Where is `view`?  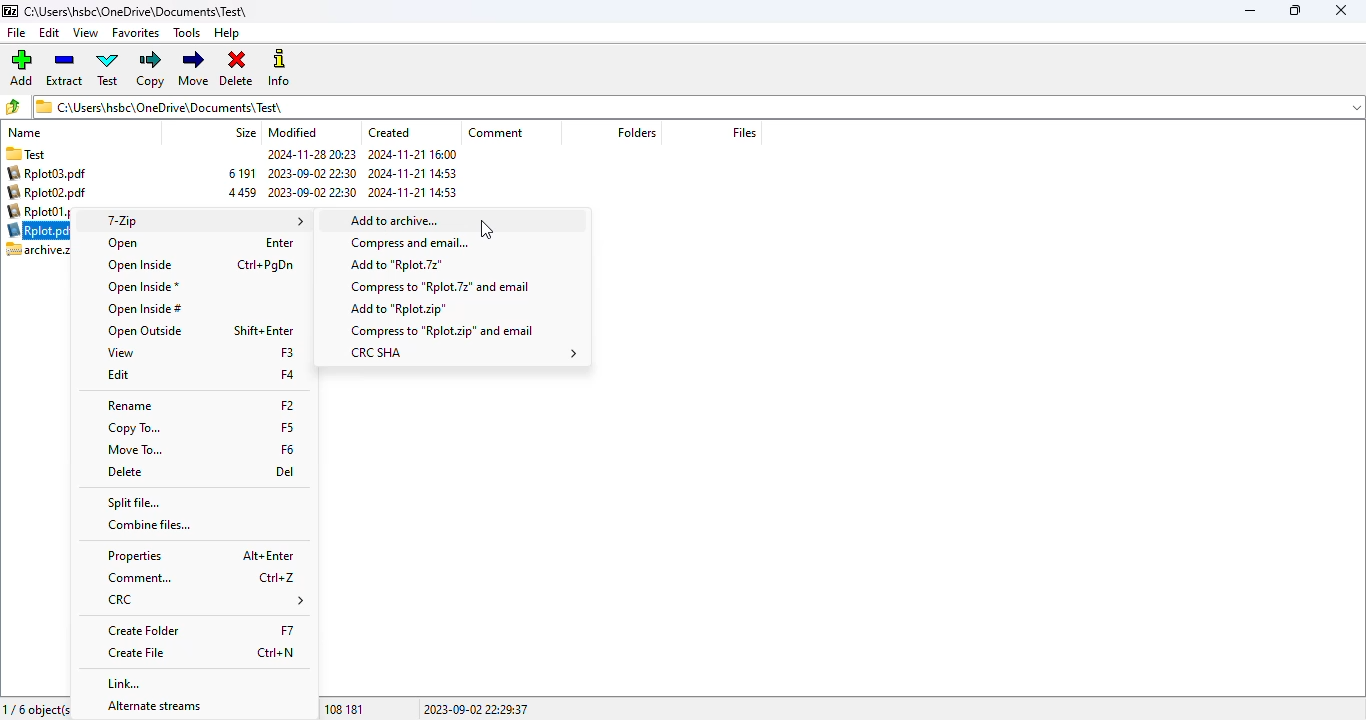
view is located at coordinates (122, 353).